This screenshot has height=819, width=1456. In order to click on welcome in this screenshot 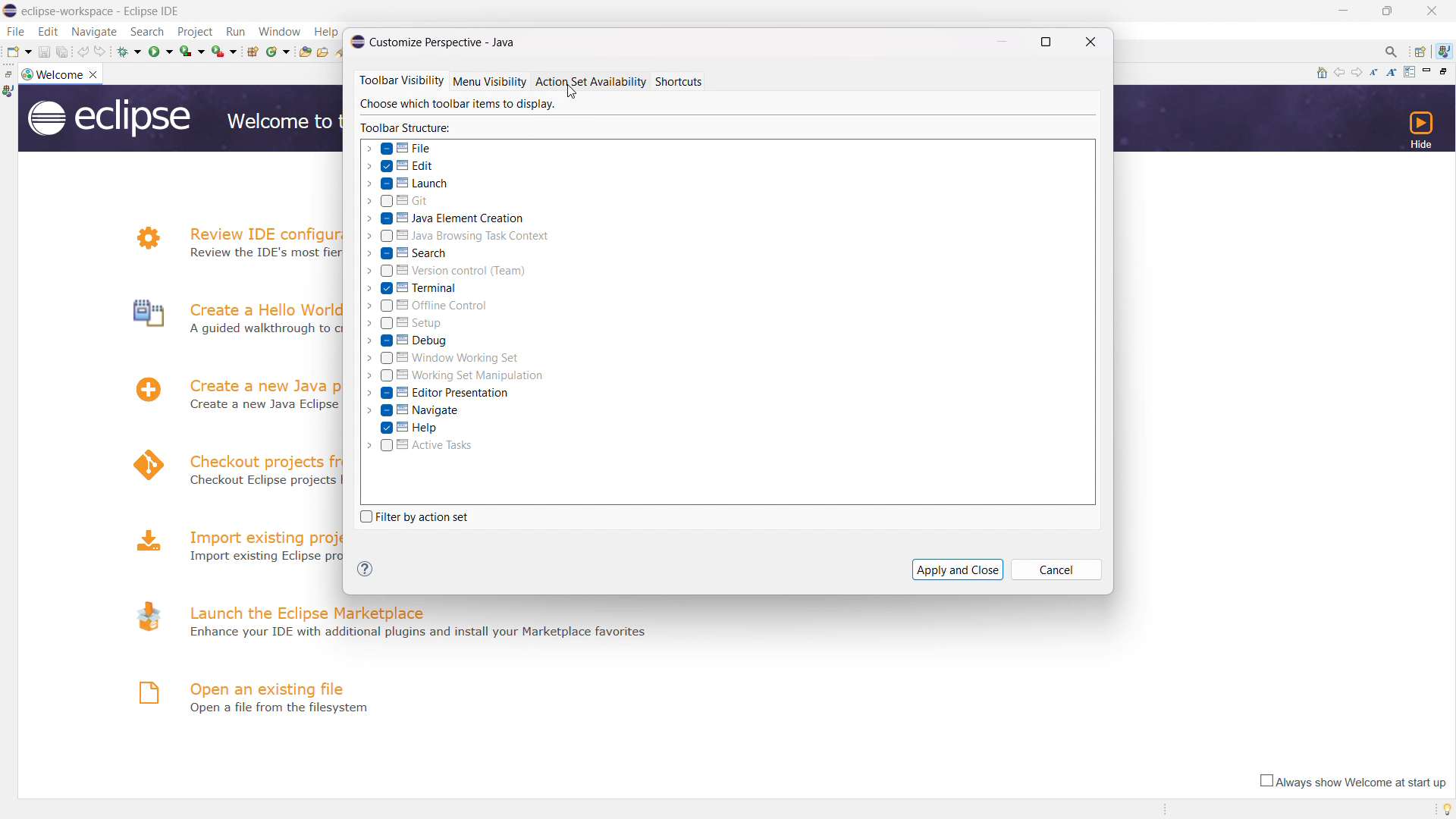, I will do `click(60, 74)`.